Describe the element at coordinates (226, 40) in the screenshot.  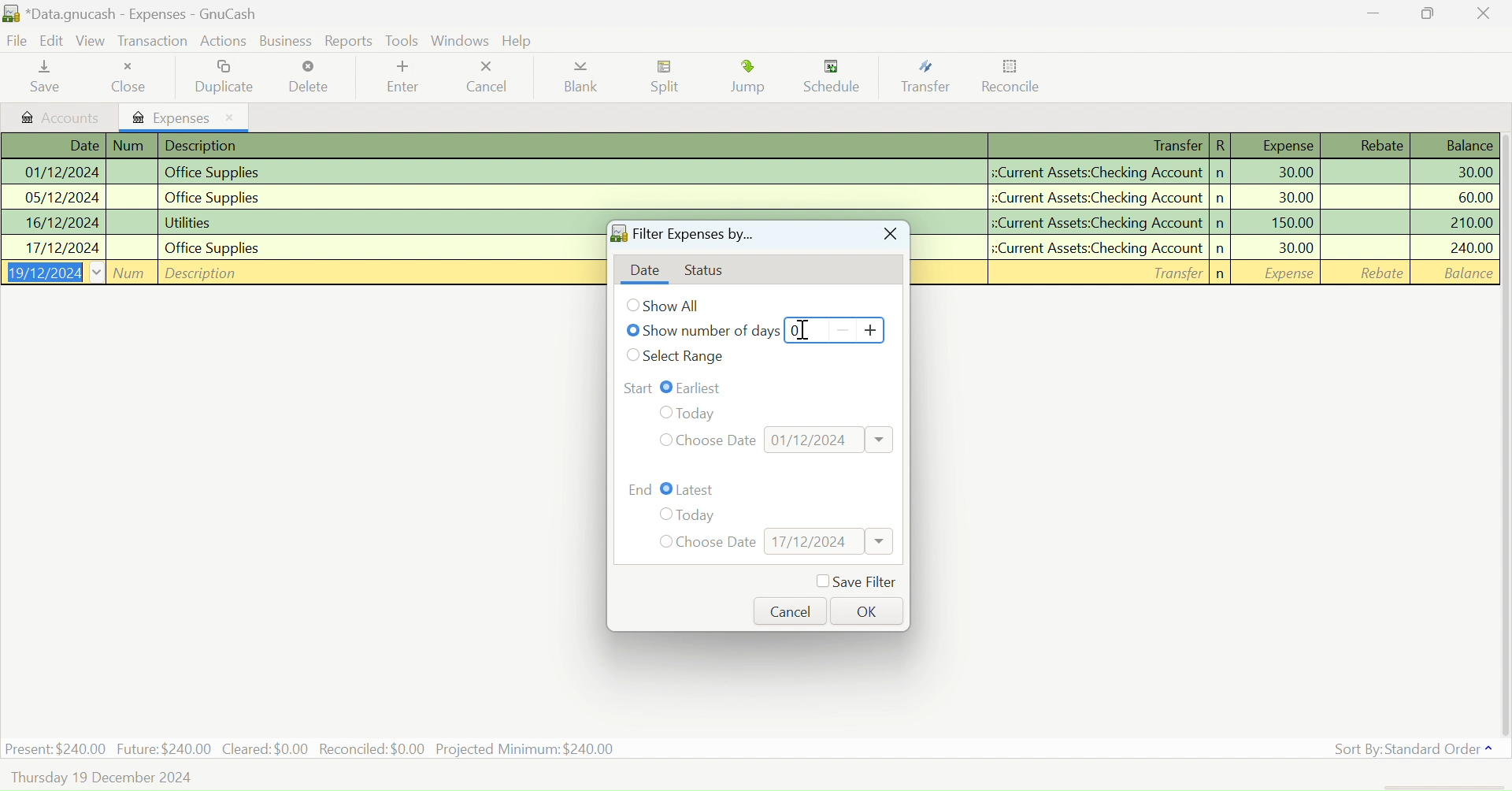
I see `Actions` at that location.